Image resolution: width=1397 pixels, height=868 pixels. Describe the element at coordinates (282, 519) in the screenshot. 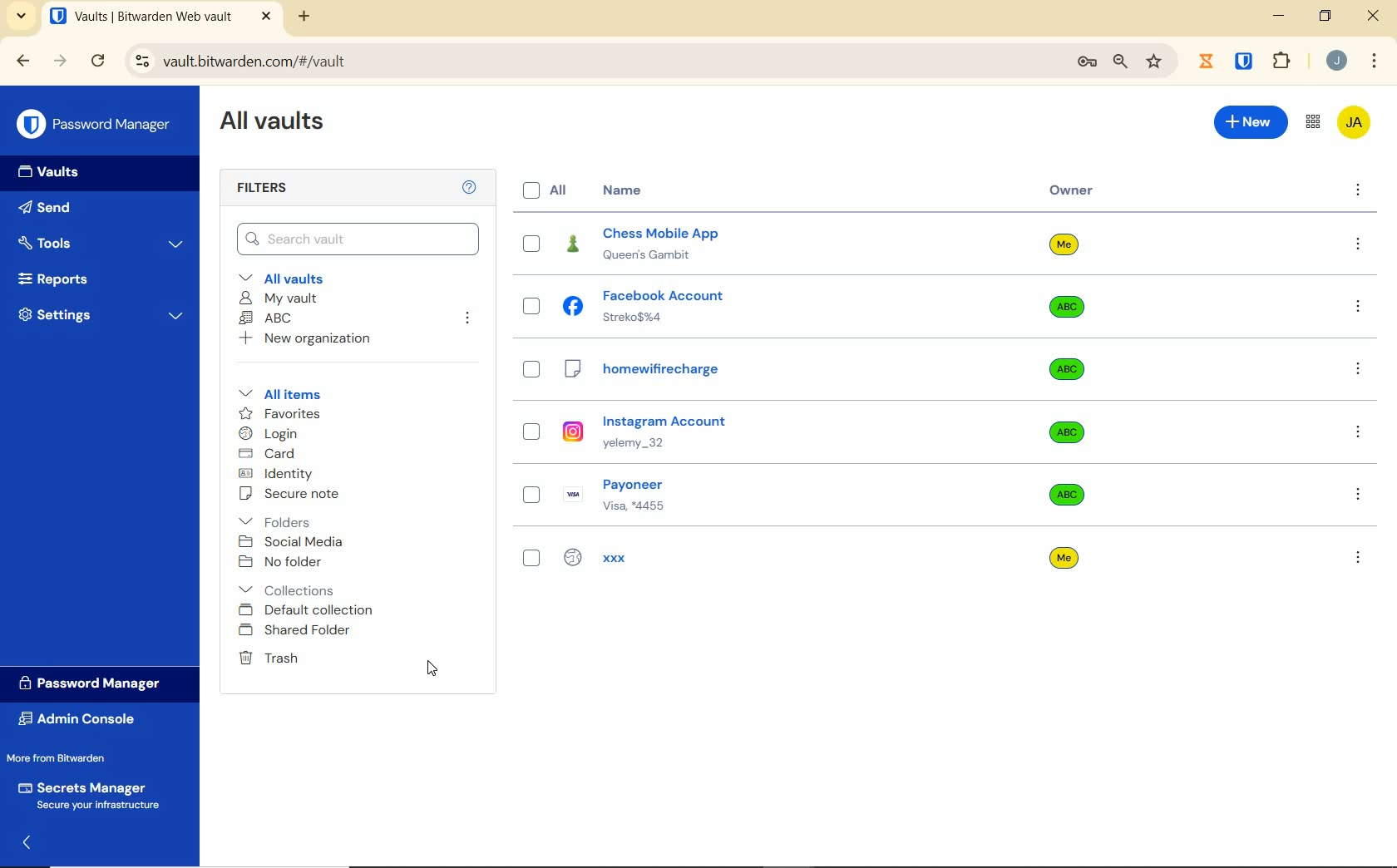

I see `folders` at that location.